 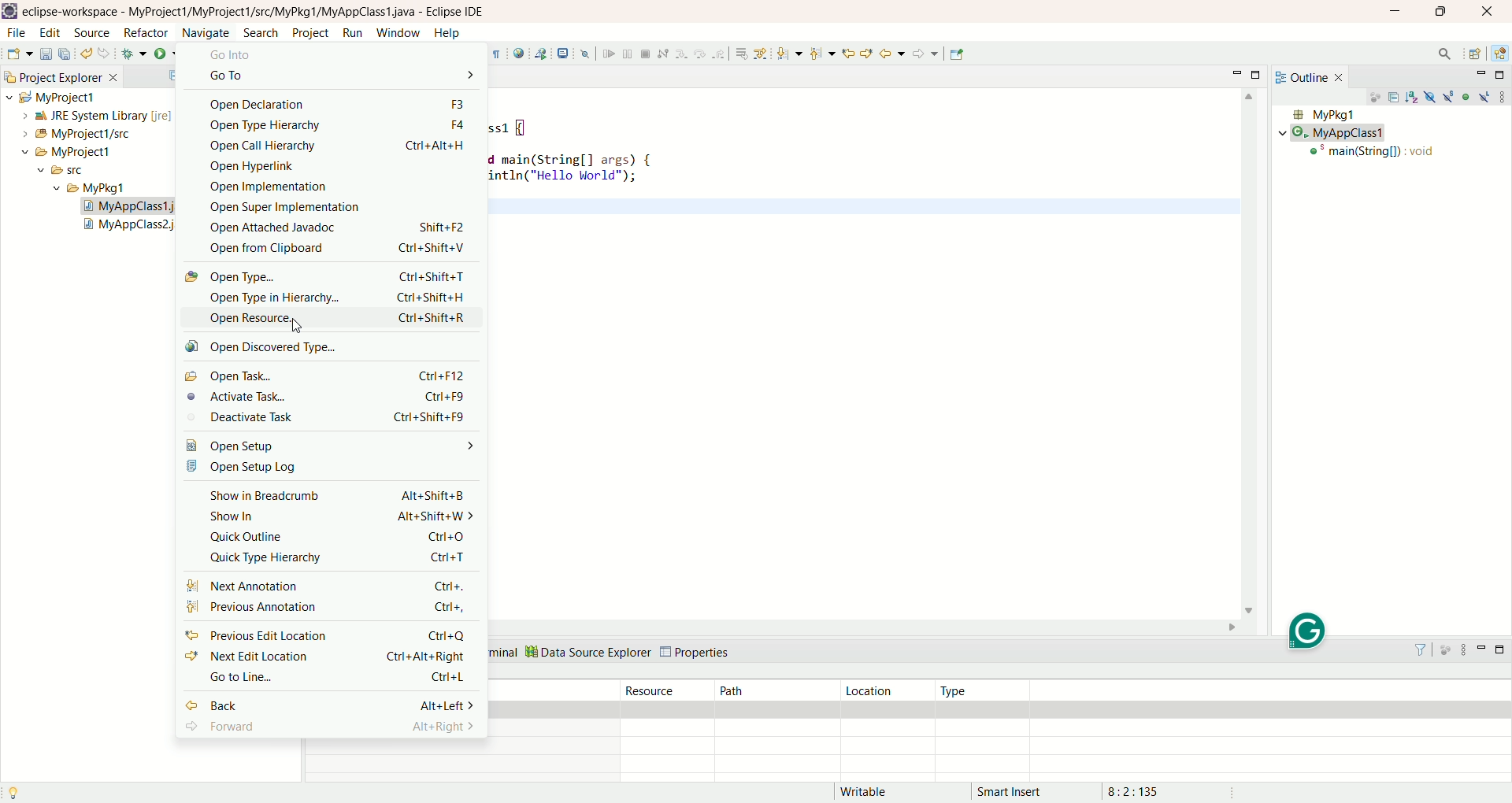 What do you see at coordinates (132, 228) in the screenshot?
I see `MyAppClass2.j` at bounding box center [132, 228].